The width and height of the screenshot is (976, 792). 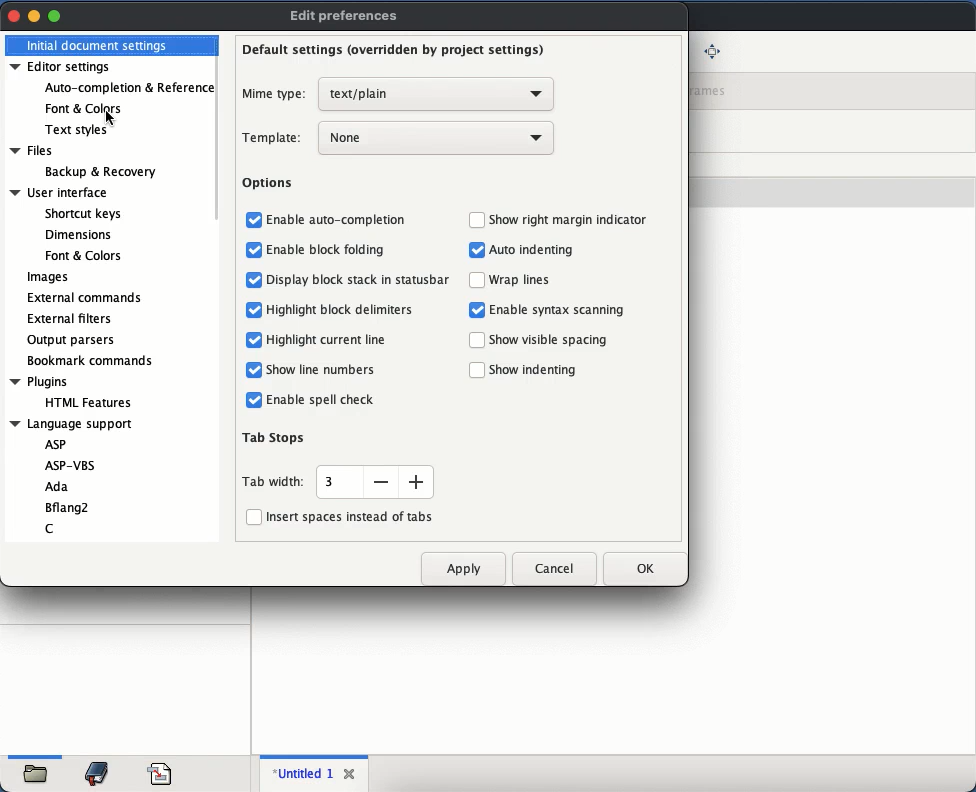 What do you see at coordinates (251, 250) in the screenshot?
I see `checkbox` at bounding box center [251, 250].